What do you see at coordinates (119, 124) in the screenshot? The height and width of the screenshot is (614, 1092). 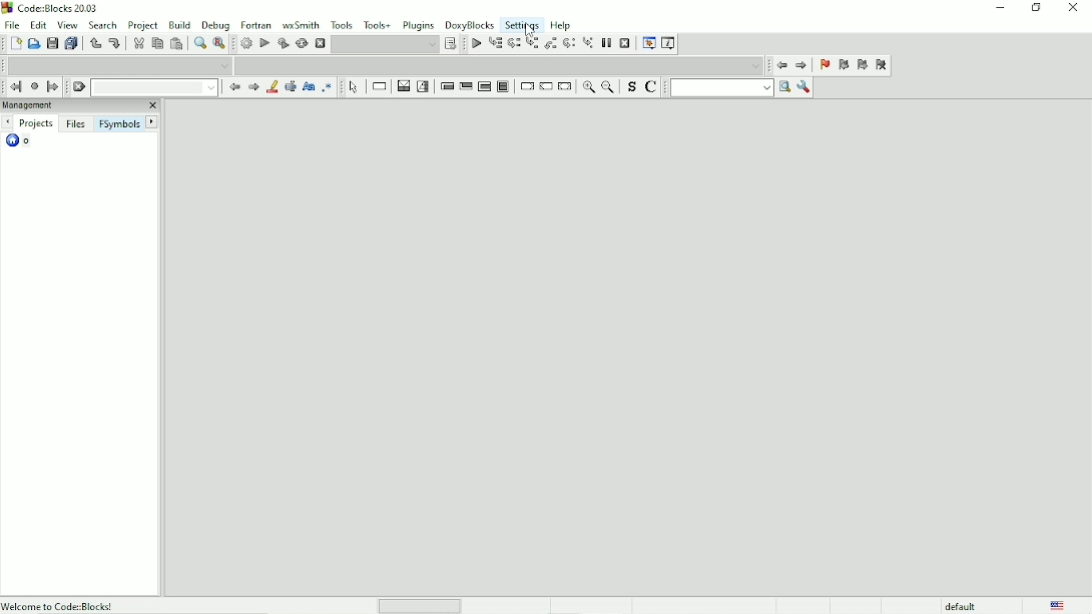 I see `FSymbols` at bounding box center [119, 124].